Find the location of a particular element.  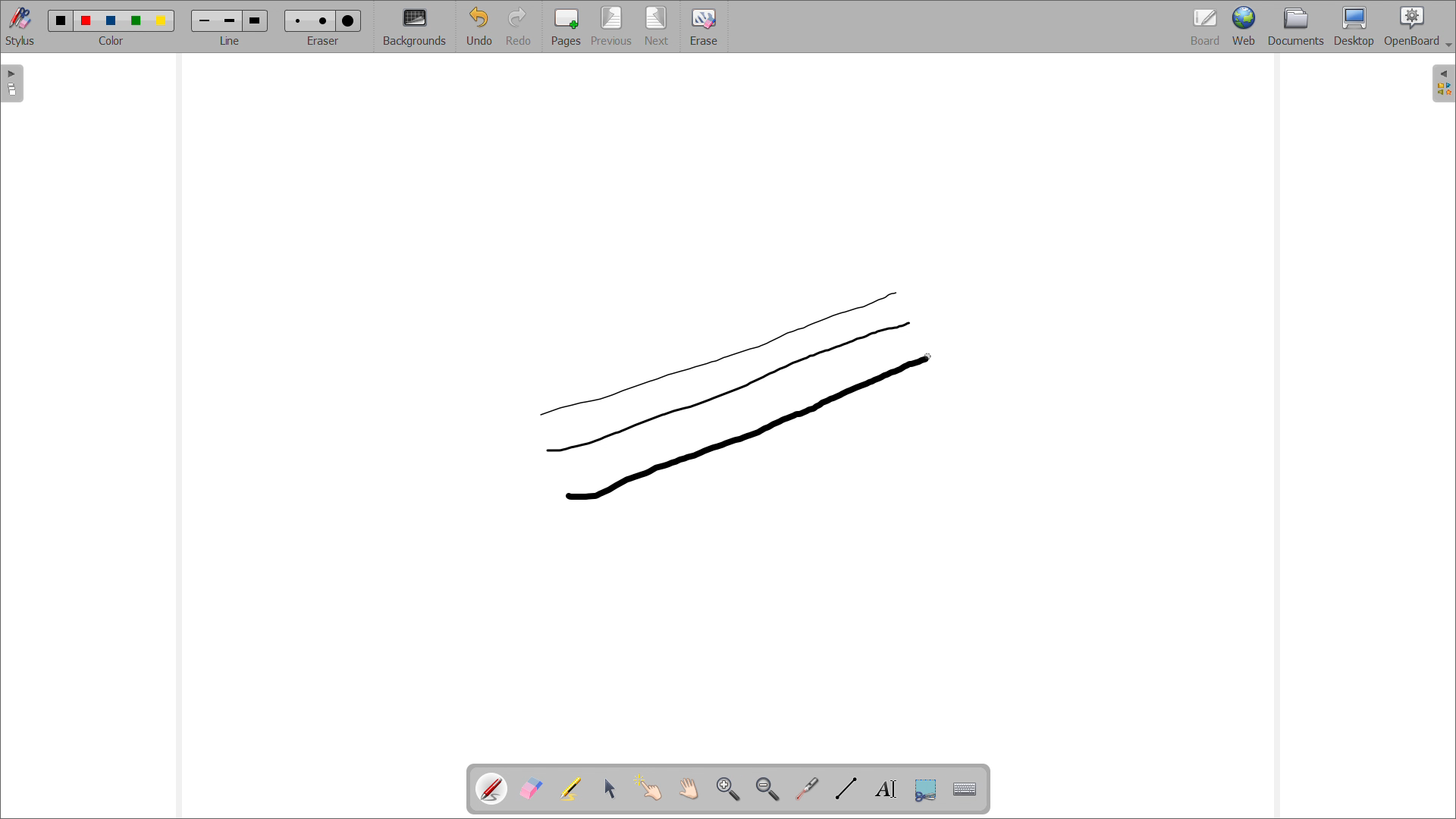

redo is located at coordinates (519, 26).